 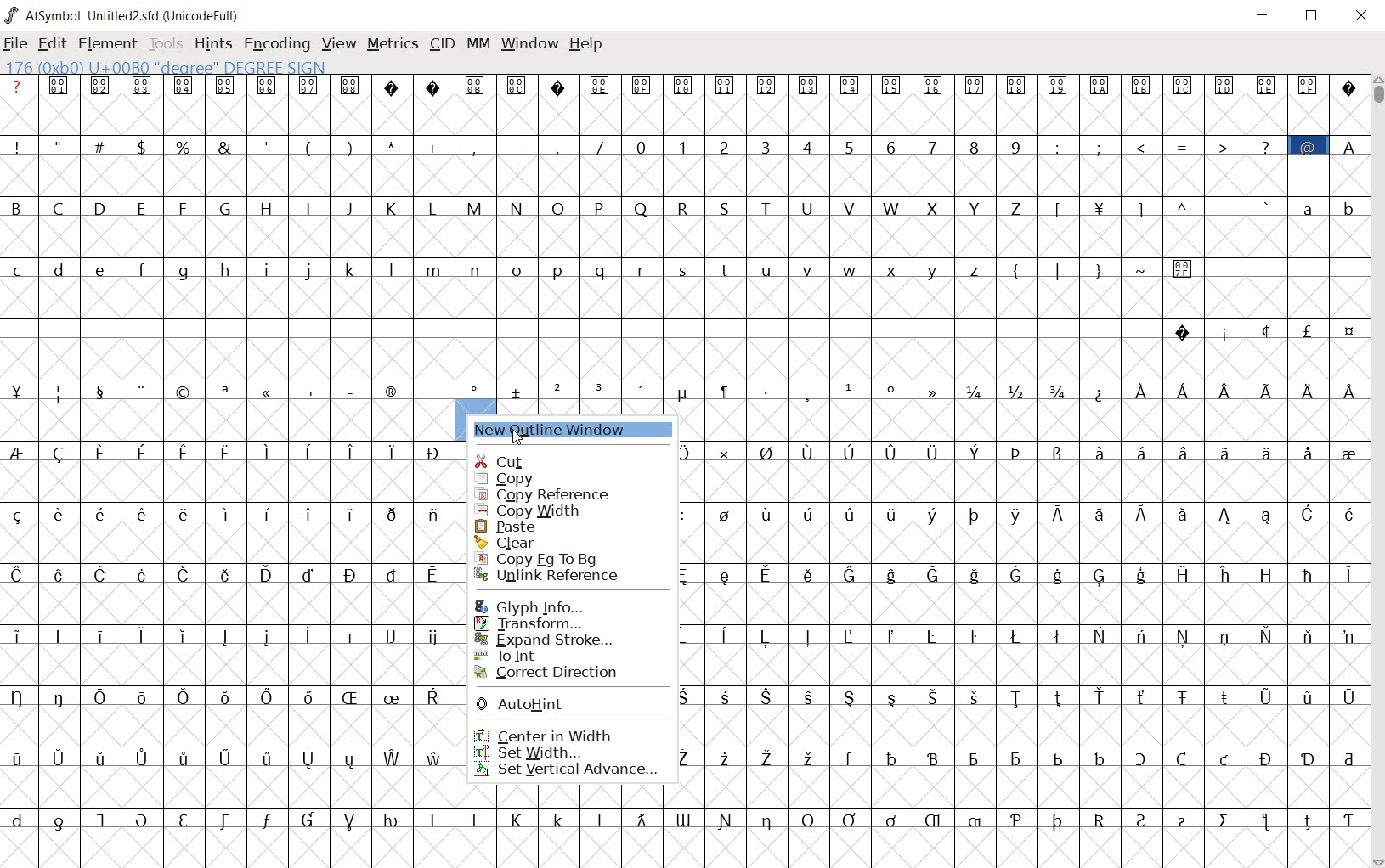 What do you see at coordinates (685, 817) in the screenshot?
I see `special letters` at bounding box center [685, 817].